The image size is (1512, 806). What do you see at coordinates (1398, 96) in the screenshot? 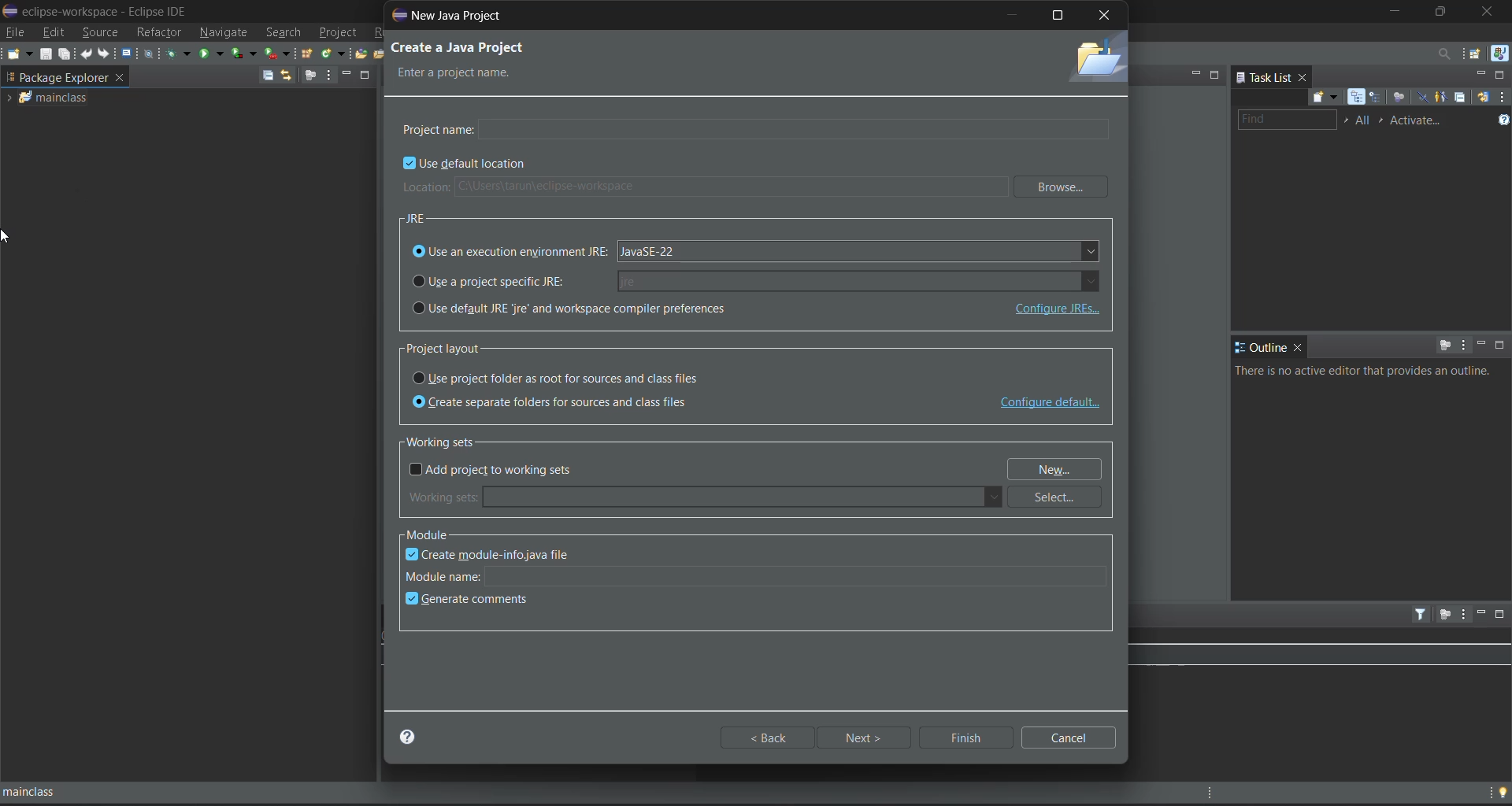
I see `focus on workweek` at bounding box center [1398, 96].